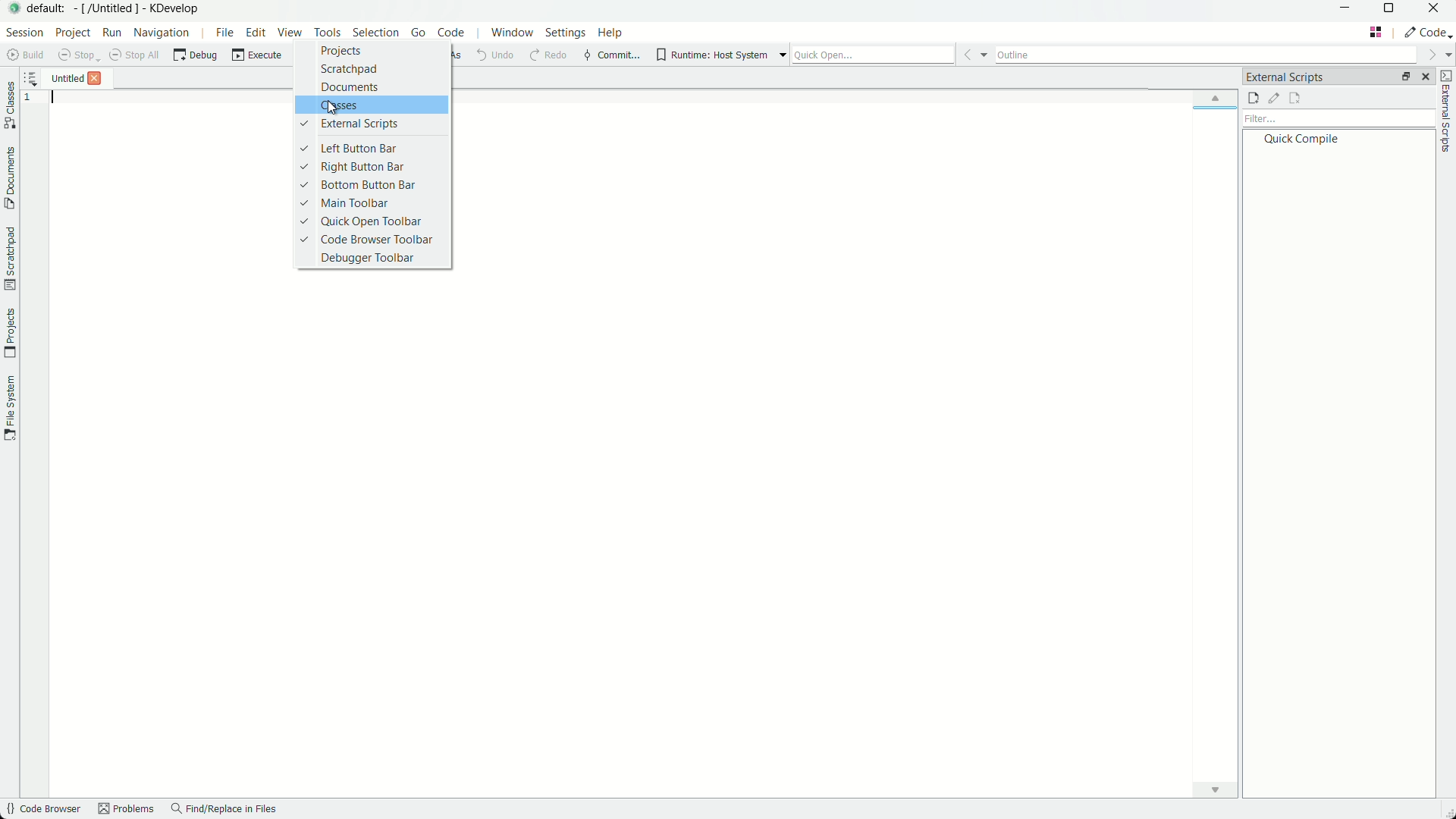 The width and height of the screenshot is (1456, 819). What do you see at coordinates (174, 9) in the screenshot?
I see `kdevelop` at bounding box center [174, 9].